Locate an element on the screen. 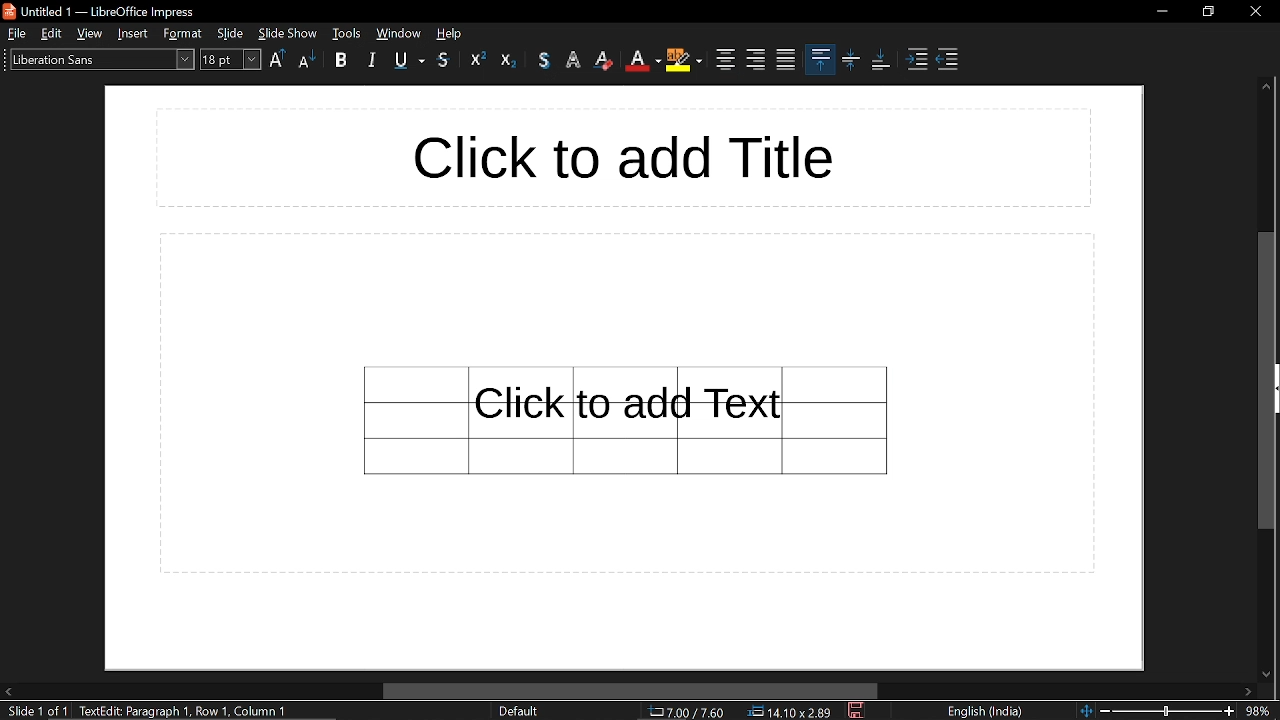  open sidebar is located at coordinates (1276, 388).